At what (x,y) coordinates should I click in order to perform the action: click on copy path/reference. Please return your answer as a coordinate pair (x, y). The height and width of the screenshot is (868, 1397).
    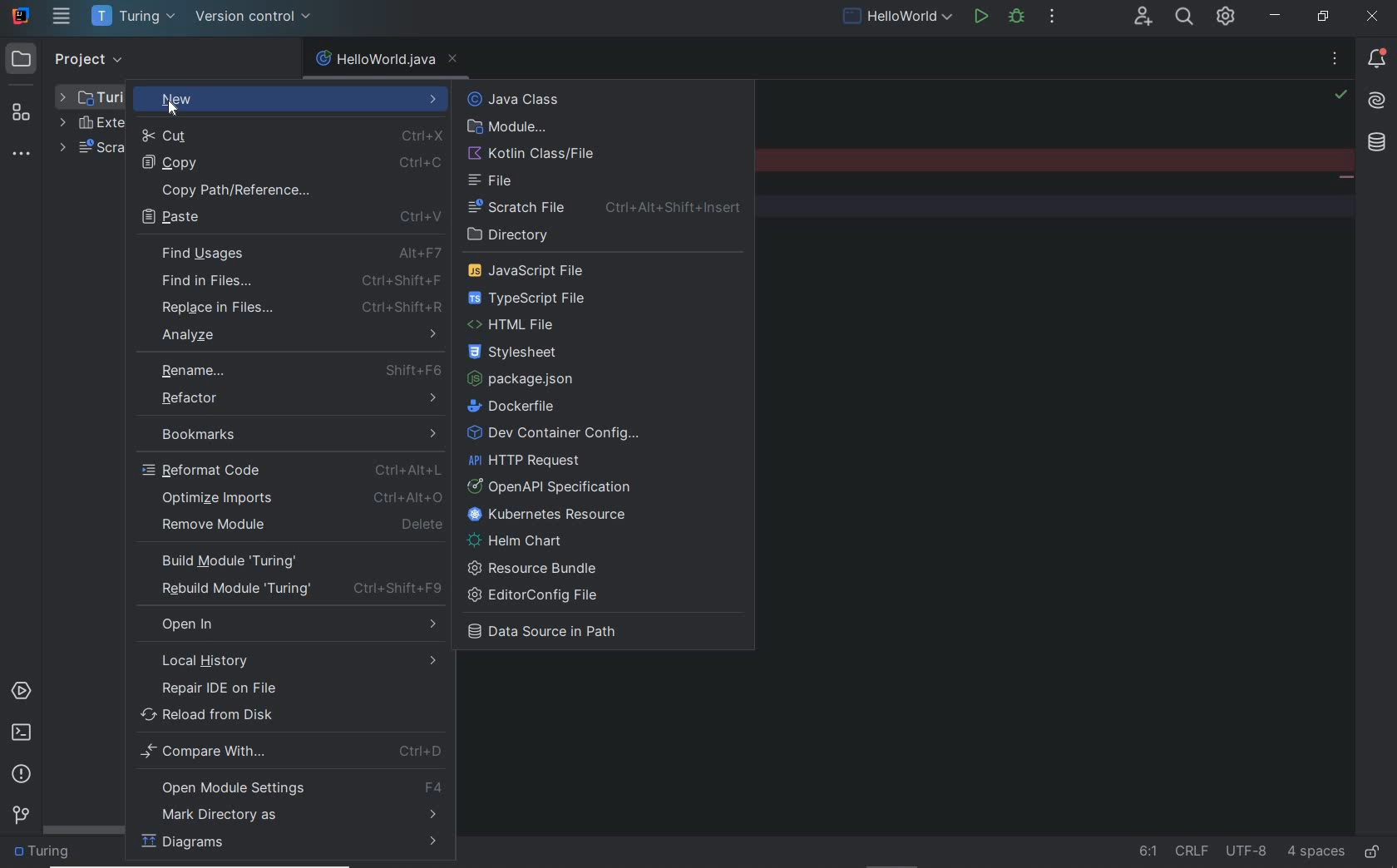
    Looking at the image, I should click on (290, 189).